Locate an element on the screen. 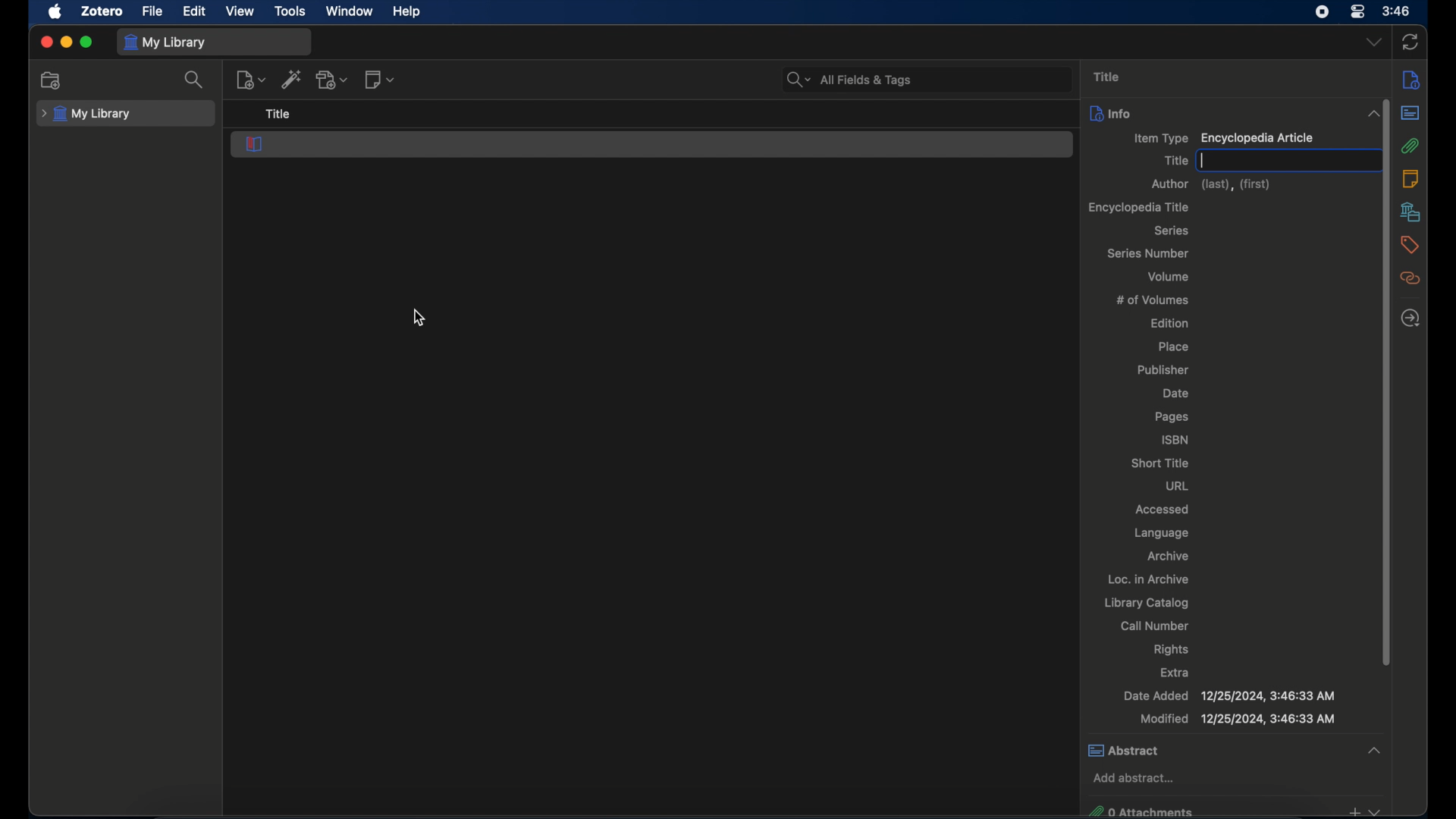  add attachment is located at coordinates (332, 80).